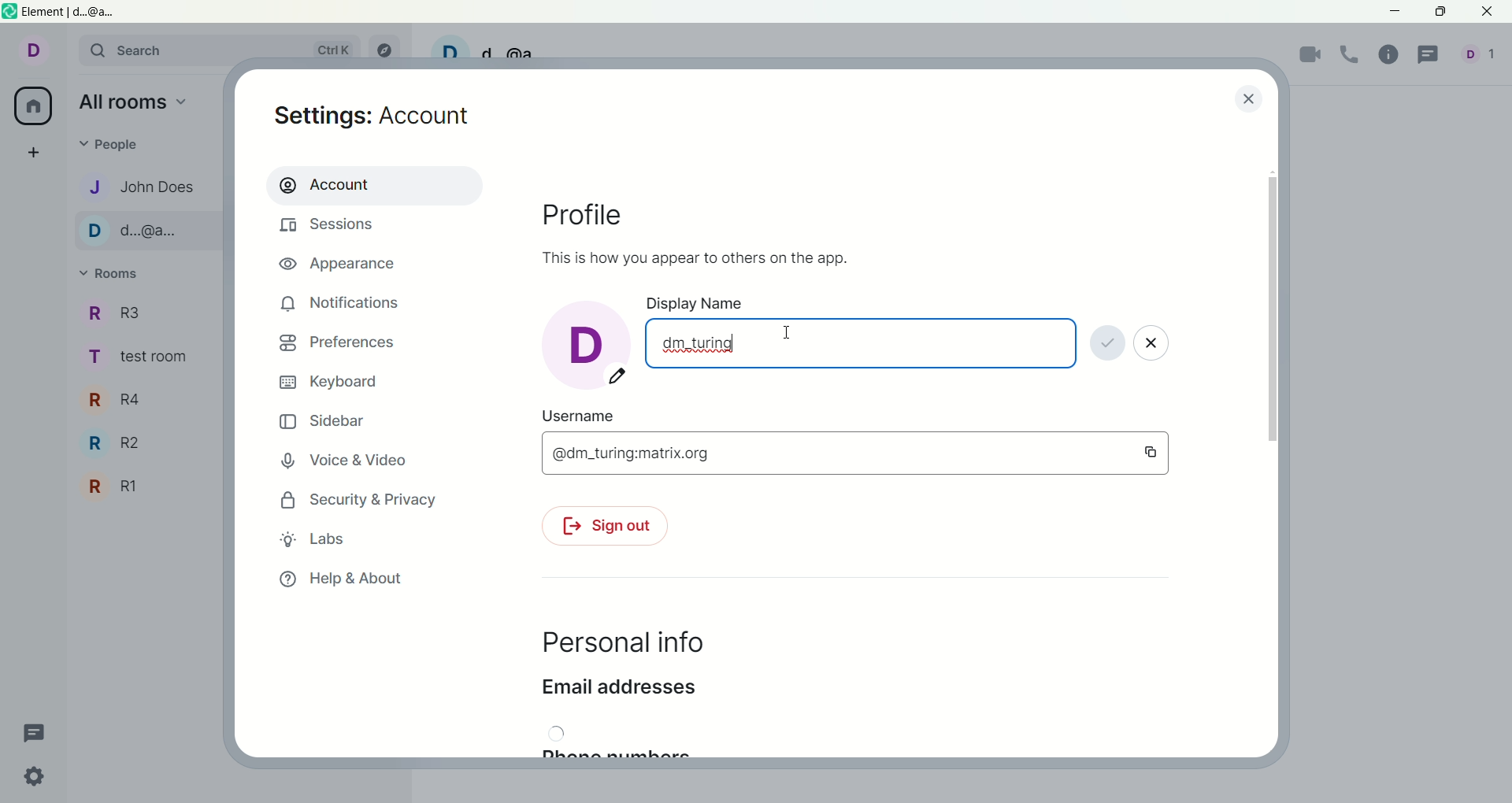  What do you see at coordinates (736, 343) in the screenshot?
I see `cursor` at bounding box center [736, 343].